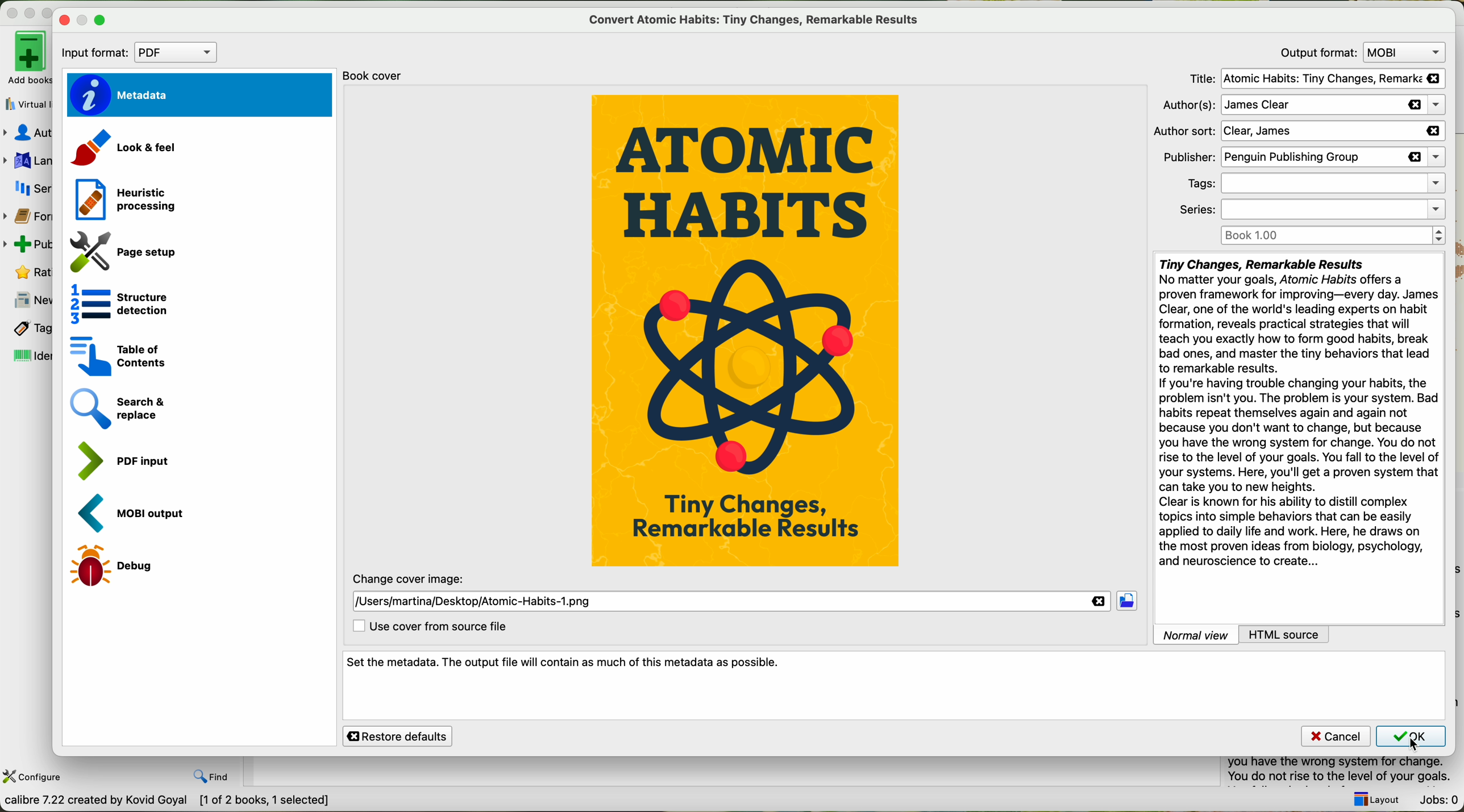 The width and height of the screenshot is (1464, 812). What do you see at coordinates (1299, 105) in the screenshot?
I see `authors` at bounding box center [1299, 105].